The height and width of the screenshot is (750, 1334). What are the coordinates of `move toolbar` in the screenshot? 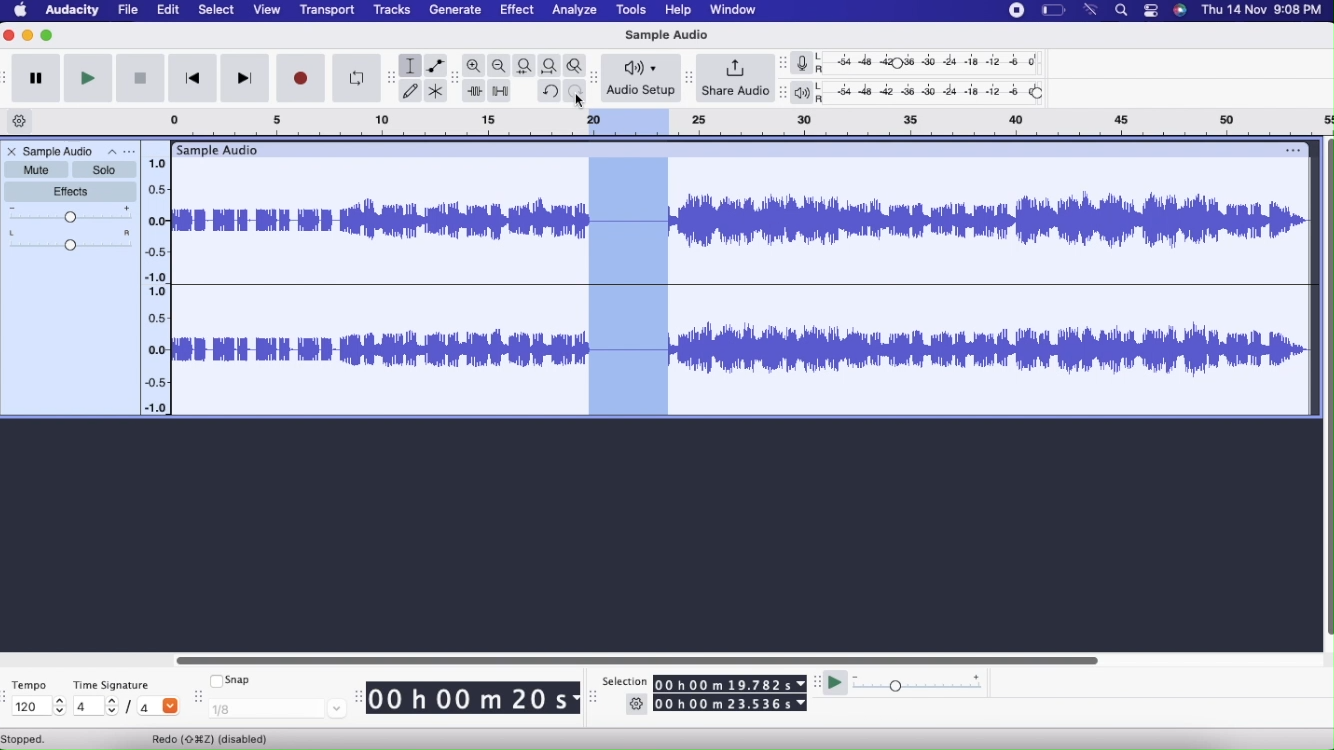 It's located at (357, 695).